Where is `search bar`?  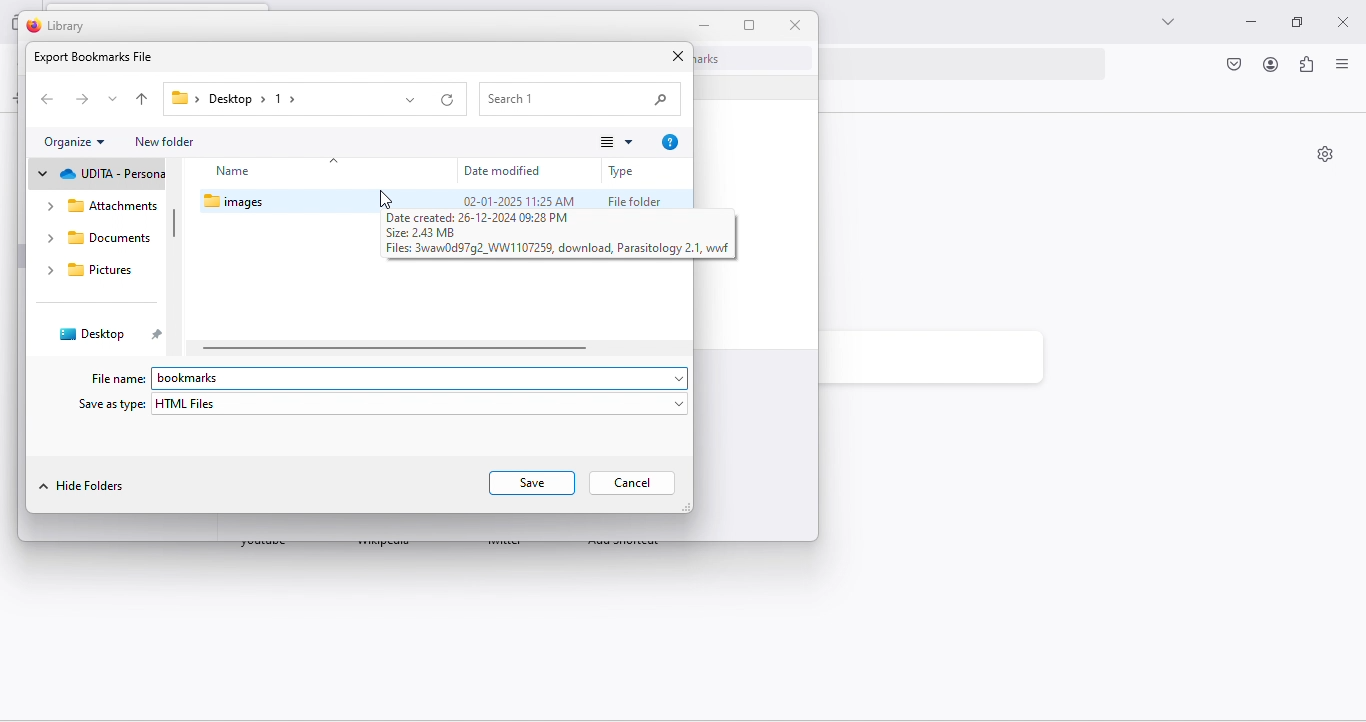 search bar is located at coordinates (579, 99).